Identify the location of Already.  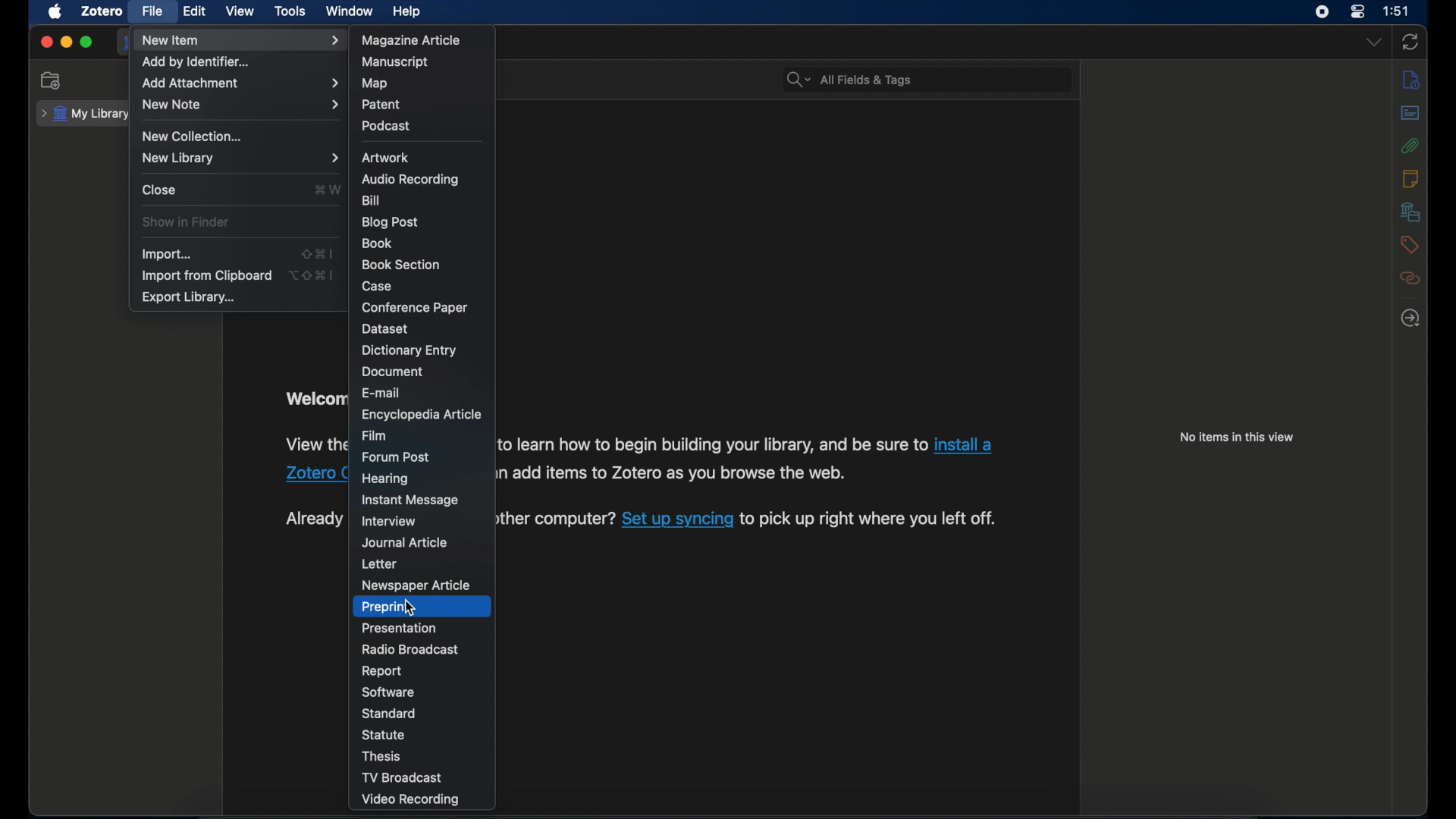
(312, 519).